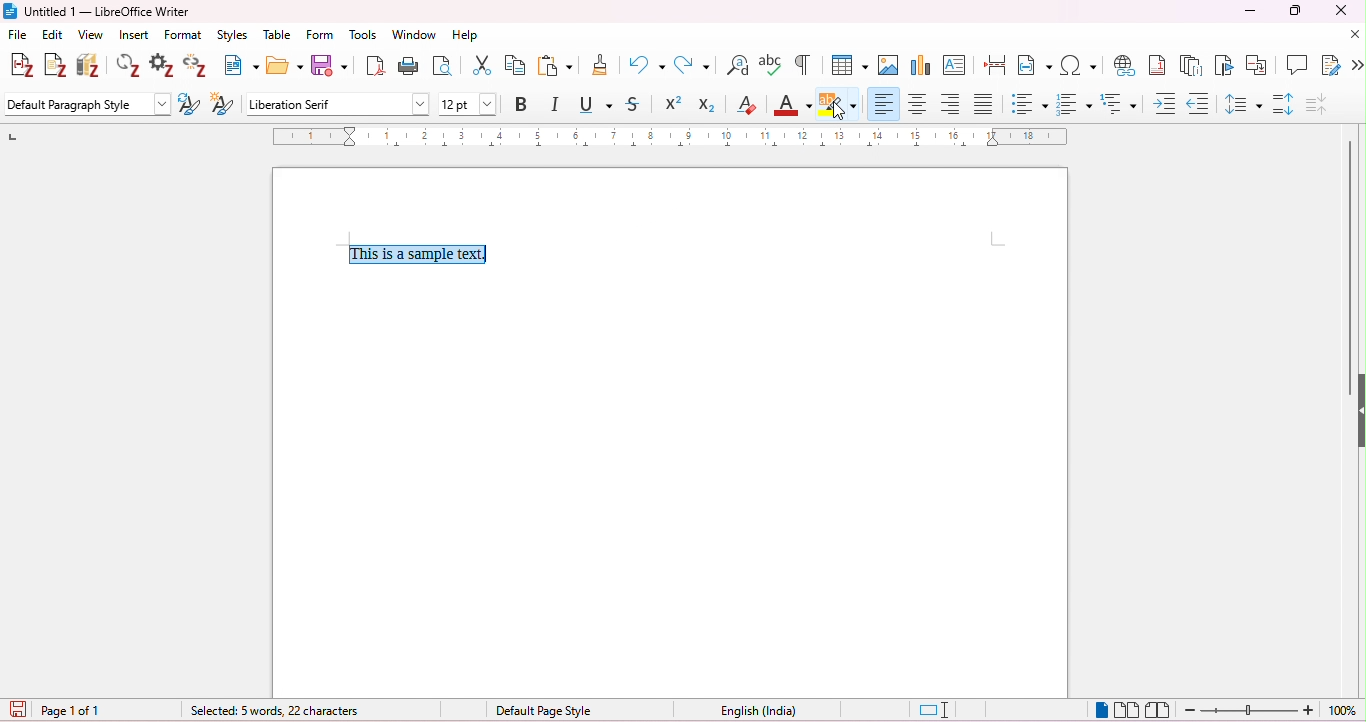 Image resolution: width=1366 pixels, height=722 pixels. I want to click on table, so click(278, 35).